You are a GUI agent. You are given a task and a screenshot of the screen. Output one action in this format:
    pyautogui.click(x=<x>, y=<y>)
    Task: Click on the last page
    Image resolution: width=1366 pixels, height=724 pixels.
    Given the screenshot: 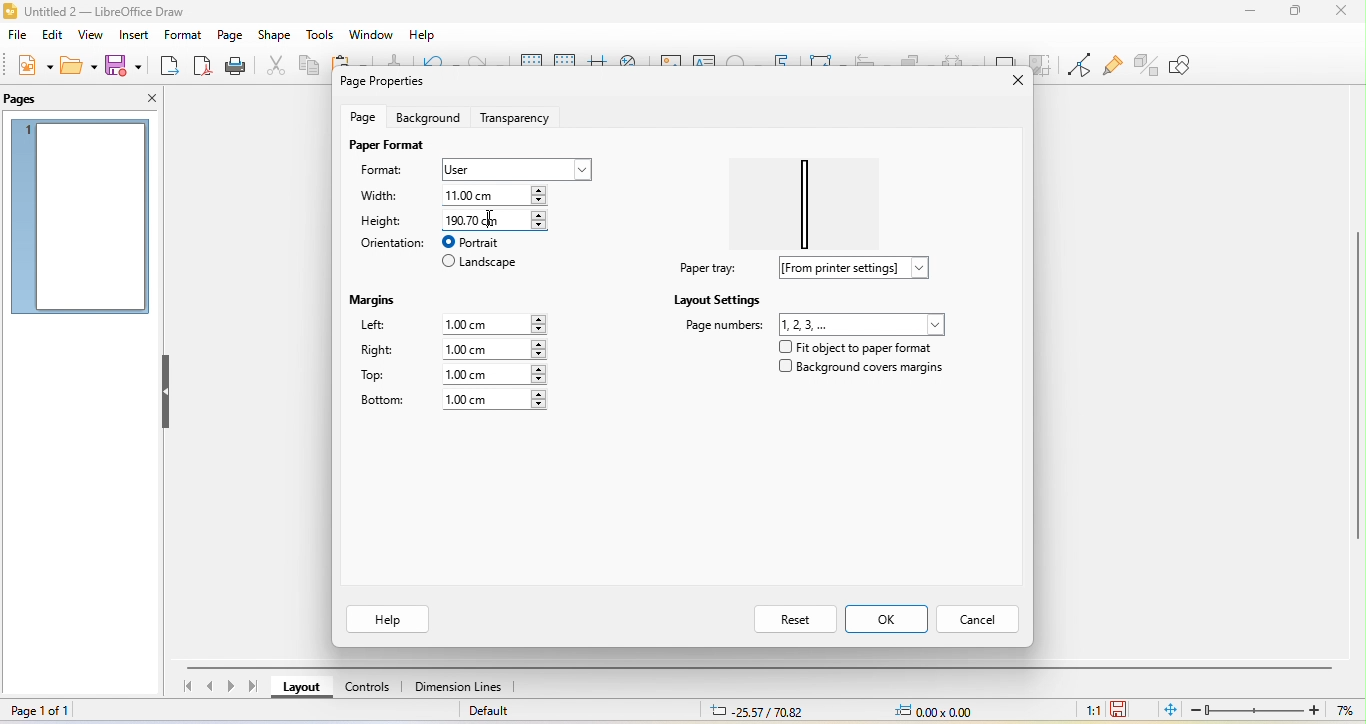 What is the action you would take?
    pyautogui.click(x=257, y=686)
    